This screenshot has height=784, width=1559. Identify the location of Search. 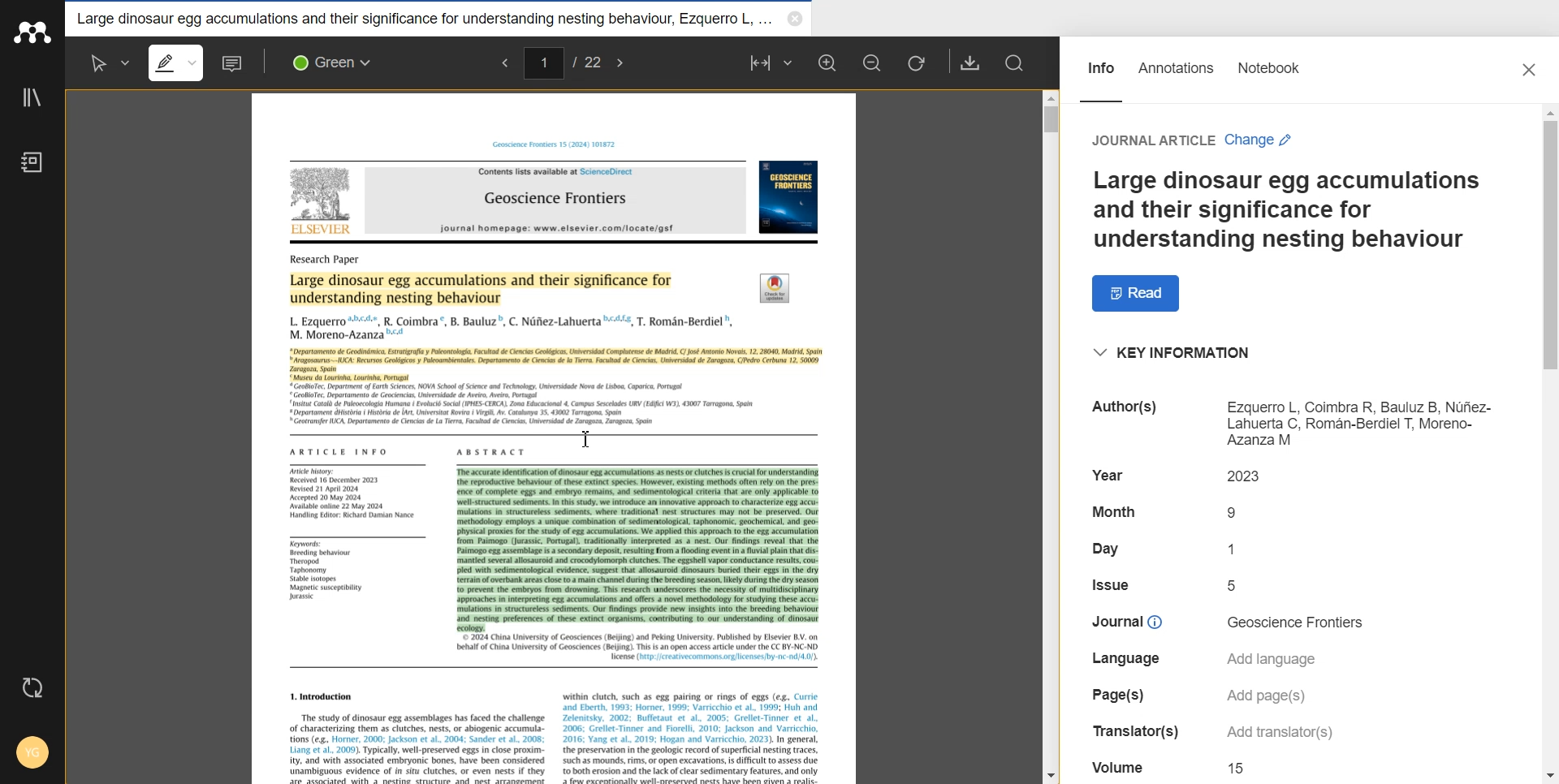
(1017, 64).